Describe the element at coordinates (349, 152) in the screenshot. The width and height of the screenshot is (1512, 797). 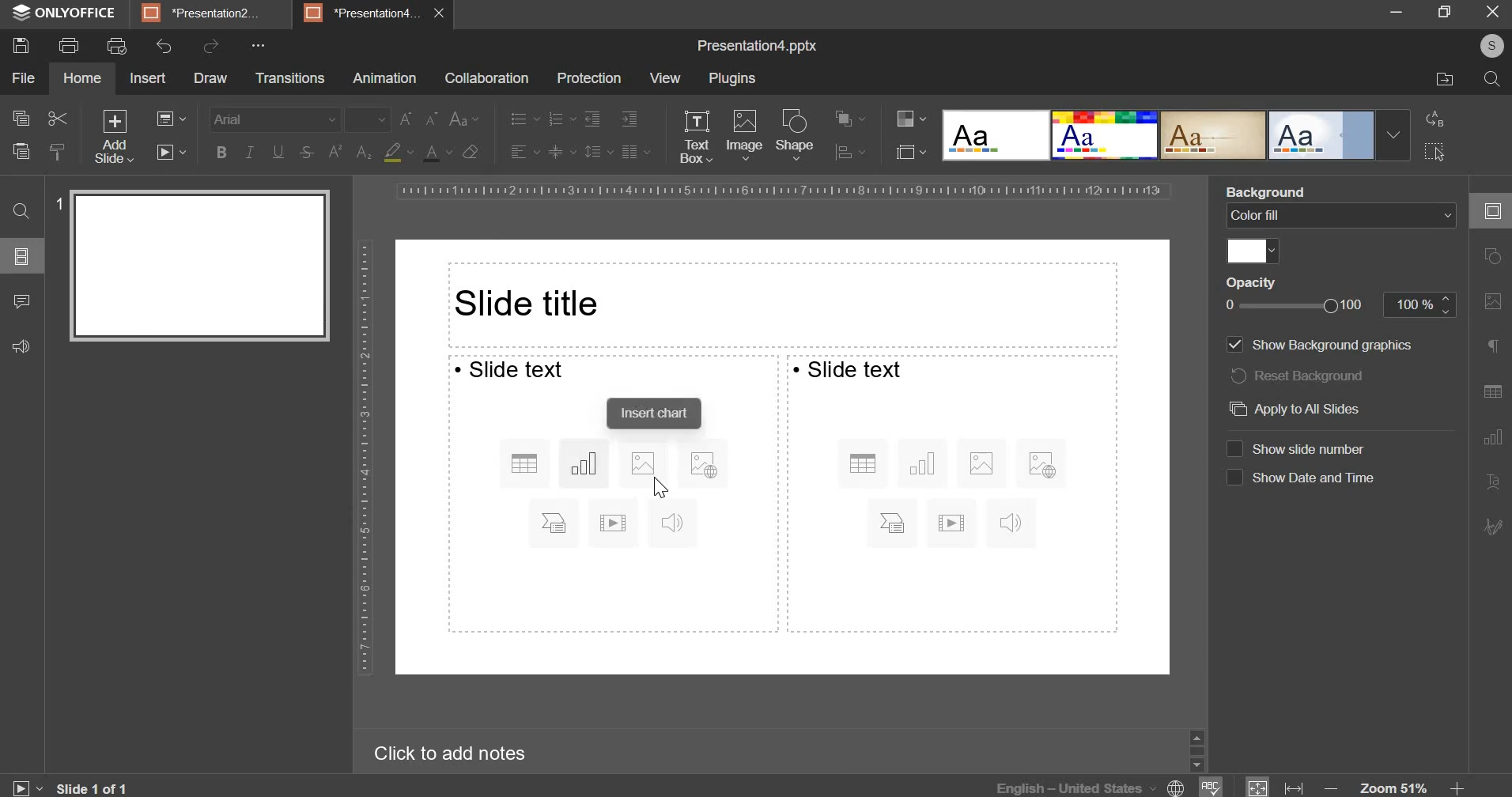
I see `subscript & superscript` at that location.